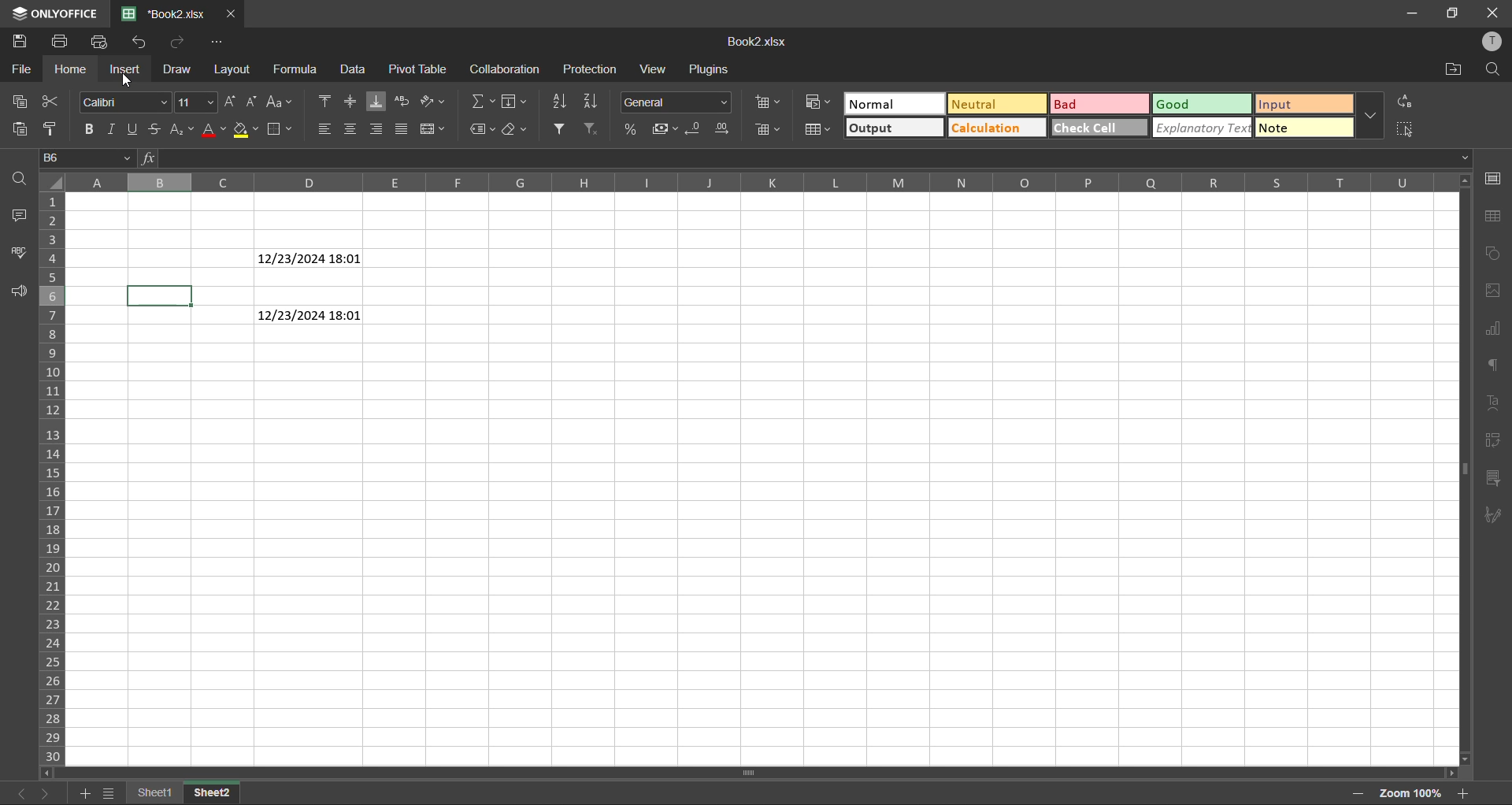 The width and height of the screenshot is (1512, 805). I want to click on find, so click(1492, 69).